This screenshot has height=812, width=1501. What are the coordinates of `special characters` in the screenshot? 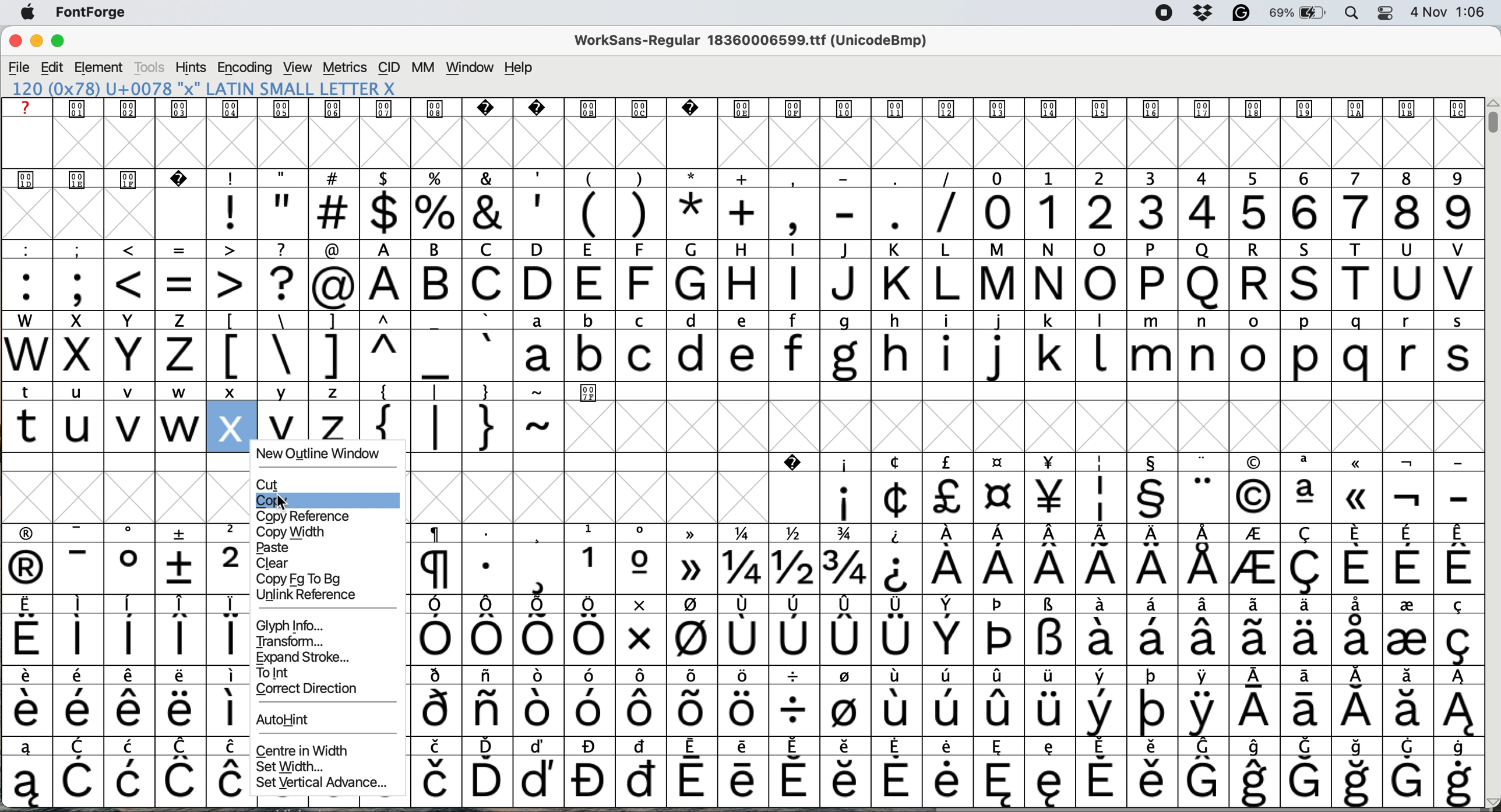 It's located at (950, 675).